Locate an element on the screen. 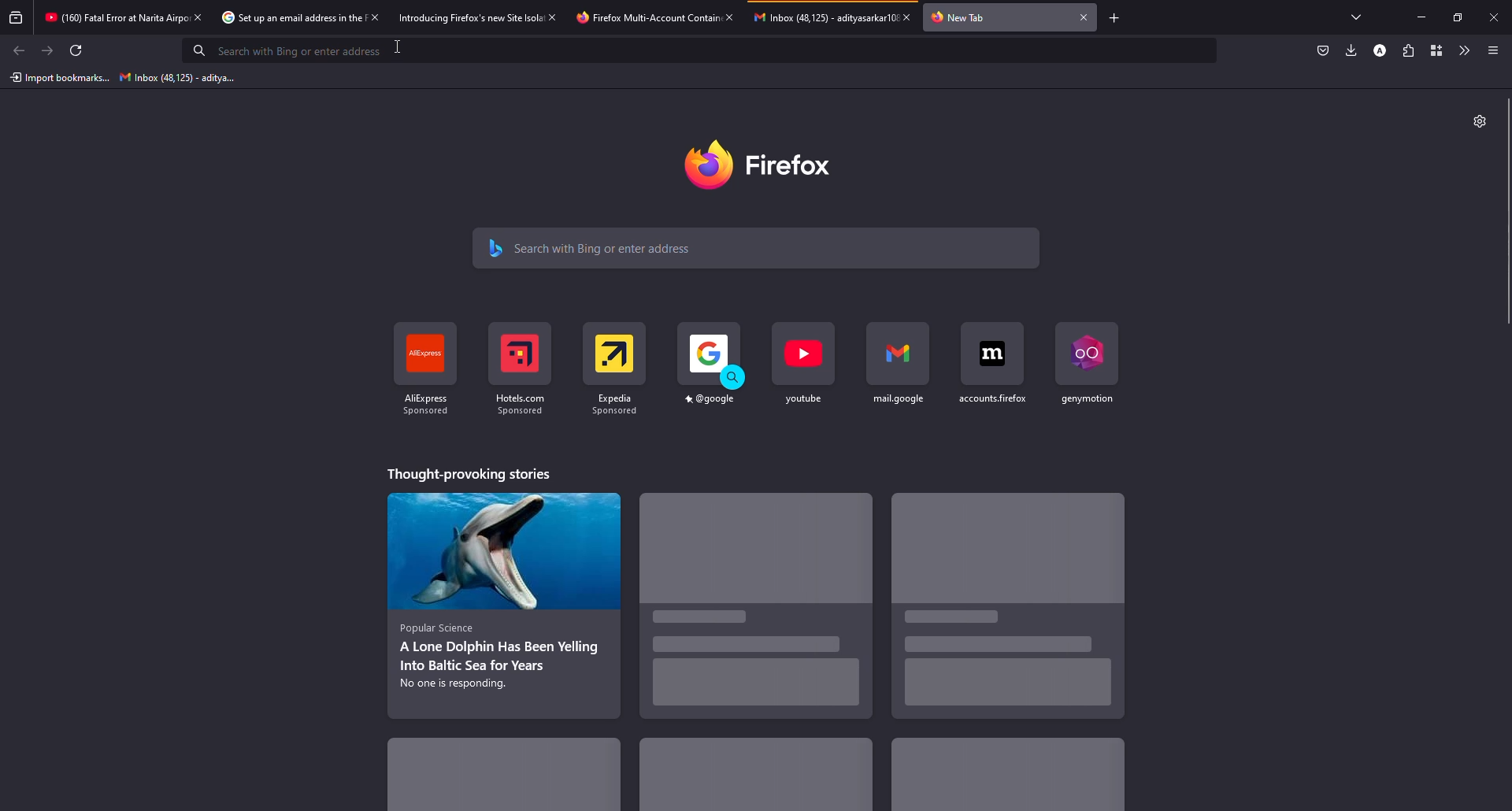 The image size is (1512, 811). stories is located at coordinates (1011, 608).